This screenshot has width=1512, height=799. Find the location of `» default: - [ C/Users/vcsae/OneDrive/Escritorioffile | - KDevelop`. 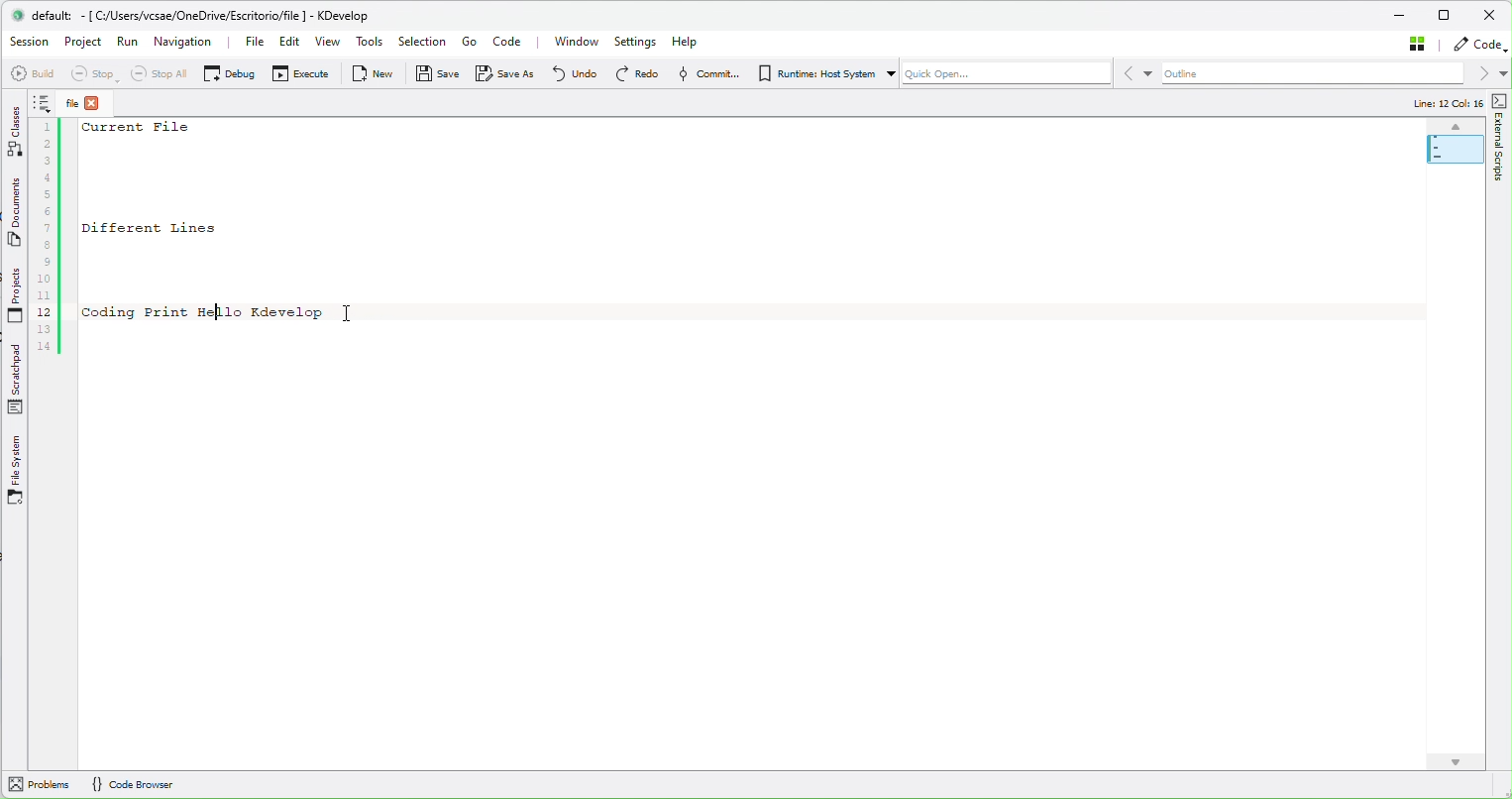

» default: - [ C/Users/vcsae/OneDrive/Escritorioffile | - KDevelop is located at coordinates (198, 15).